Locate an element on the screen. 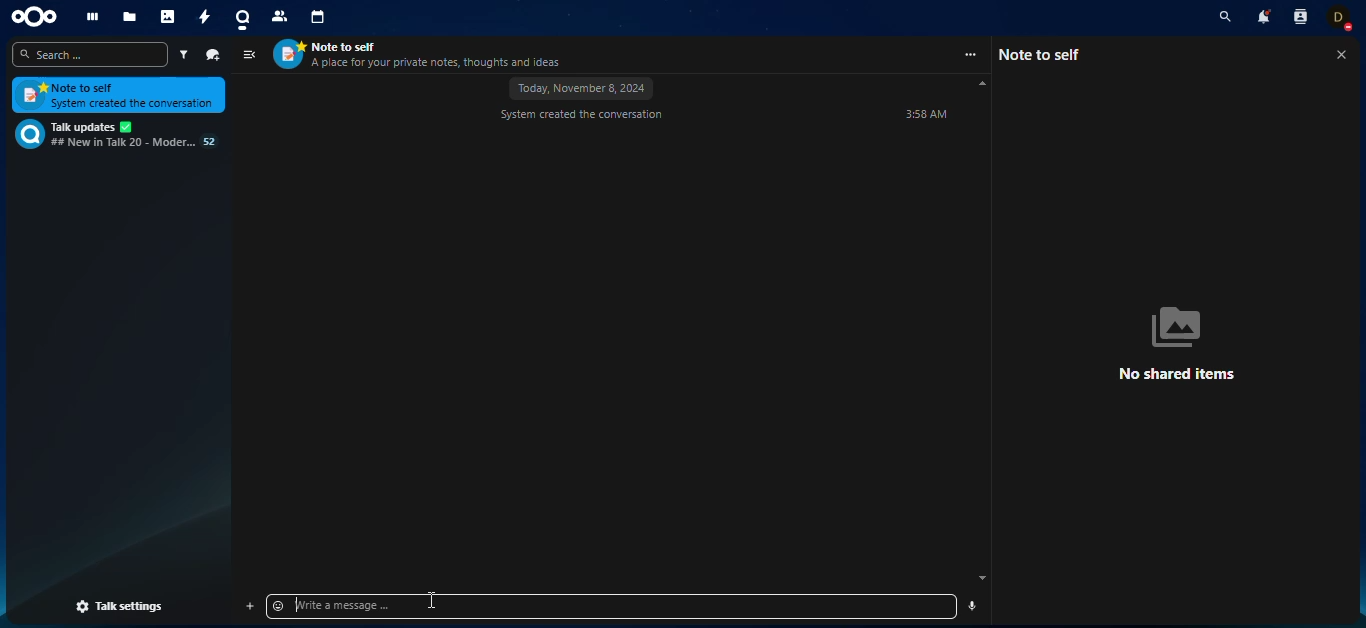 Image resolution: width=1366 pixels, height=628 pixels. search is located at coordinates (91, 55).